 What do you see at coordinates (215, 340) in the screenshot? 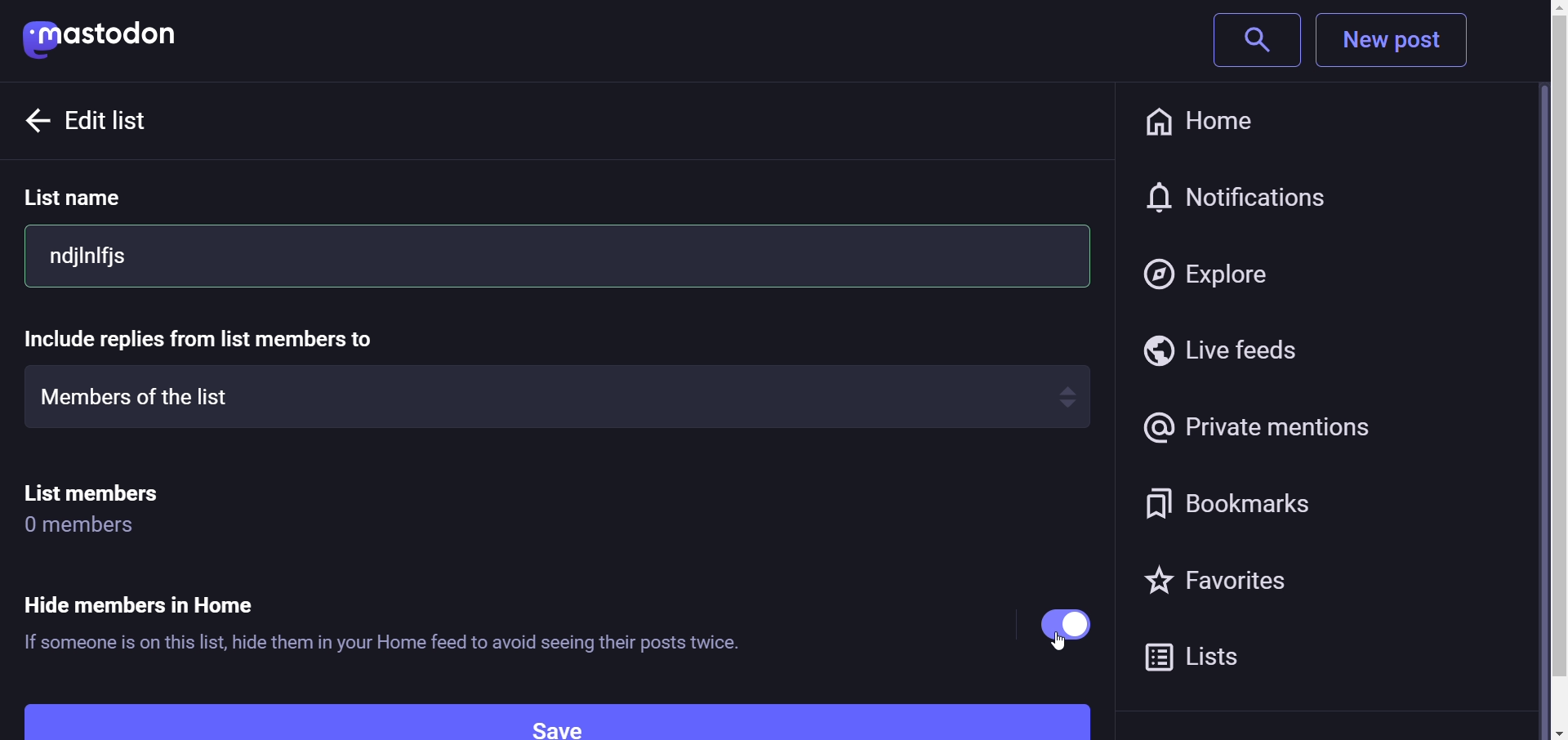
I see `include replies from list member to` at bounding box center [215, 340].